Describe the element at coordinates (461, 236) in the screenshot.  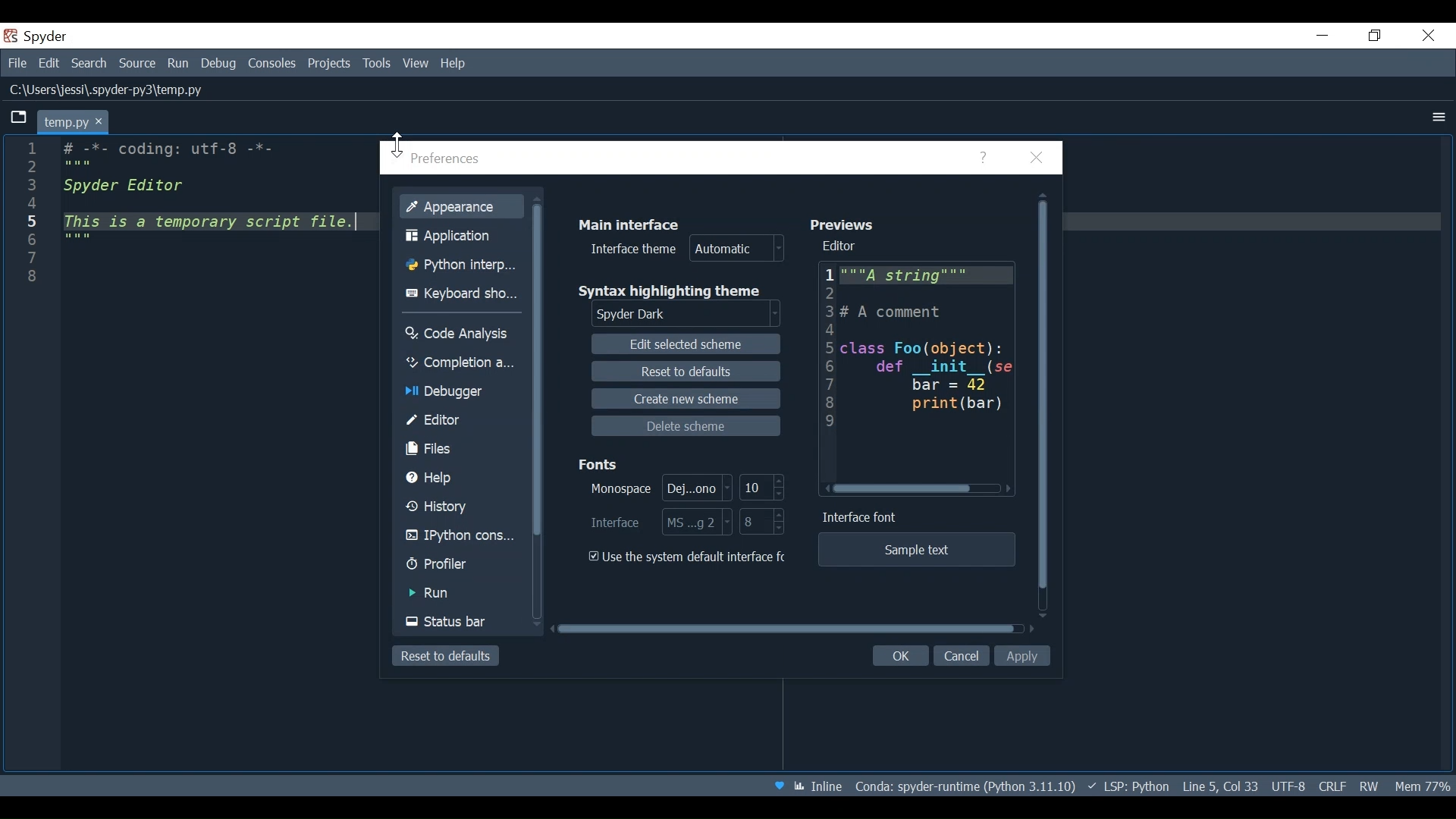
I see `Application` at that location.